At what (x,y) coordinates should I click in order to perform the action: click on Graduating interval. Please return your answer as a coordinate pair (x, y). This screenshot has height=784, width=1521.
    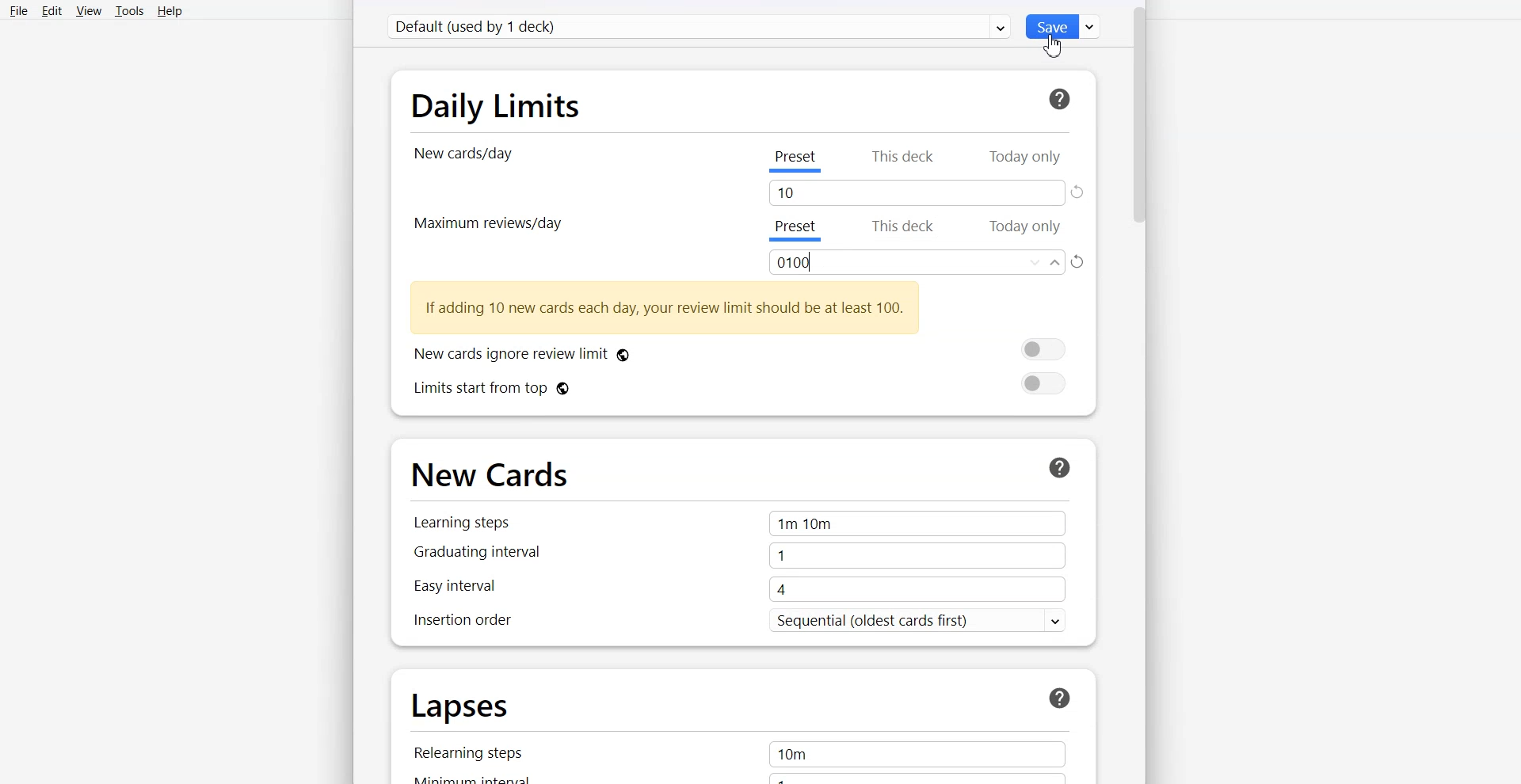
    Looking at the image, I should click on (738, 558).